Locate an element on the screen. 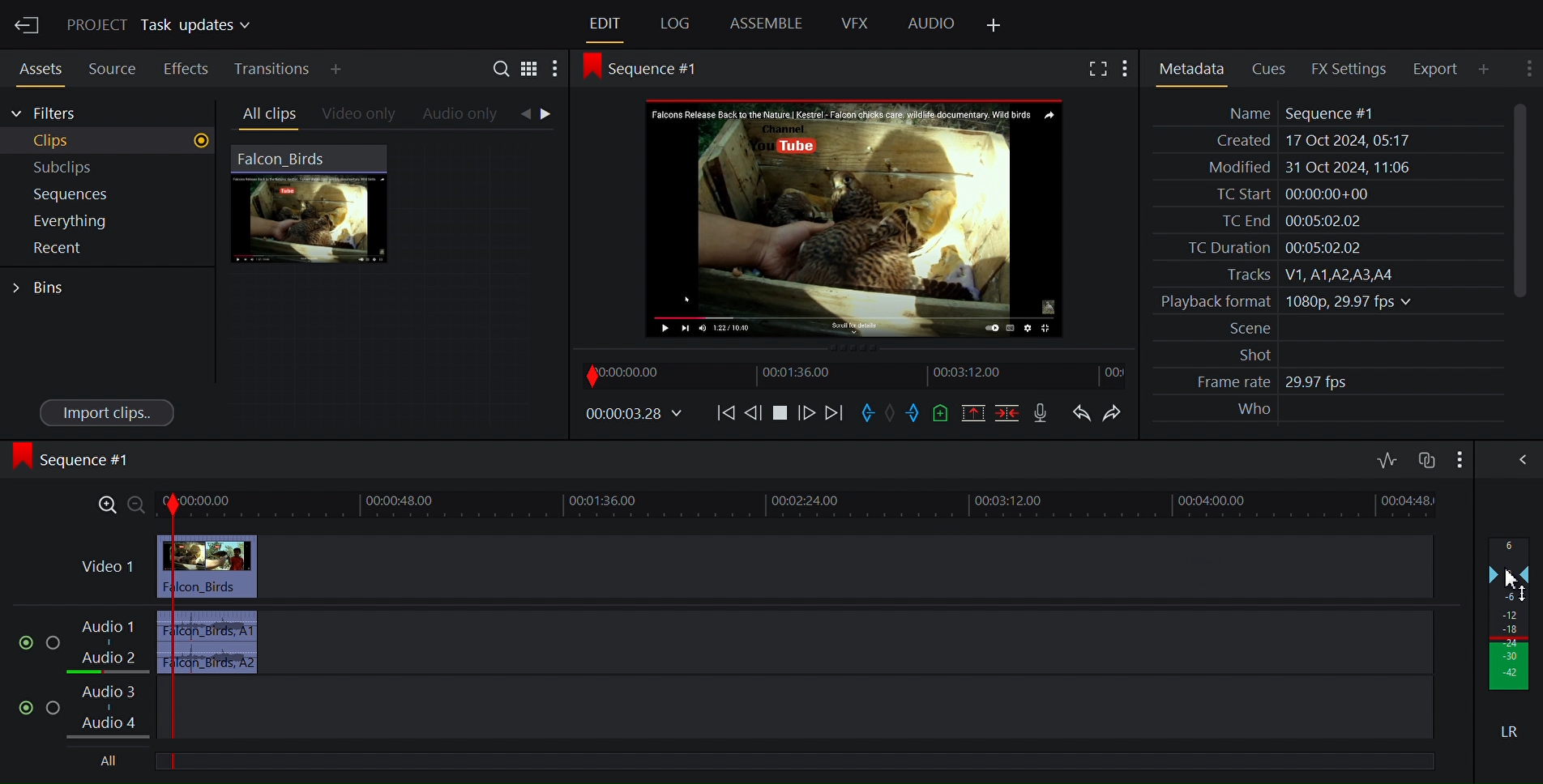 The width and height of the screenshot is (1543, 784). Sequence #1 is located at coordinates (649, 71).